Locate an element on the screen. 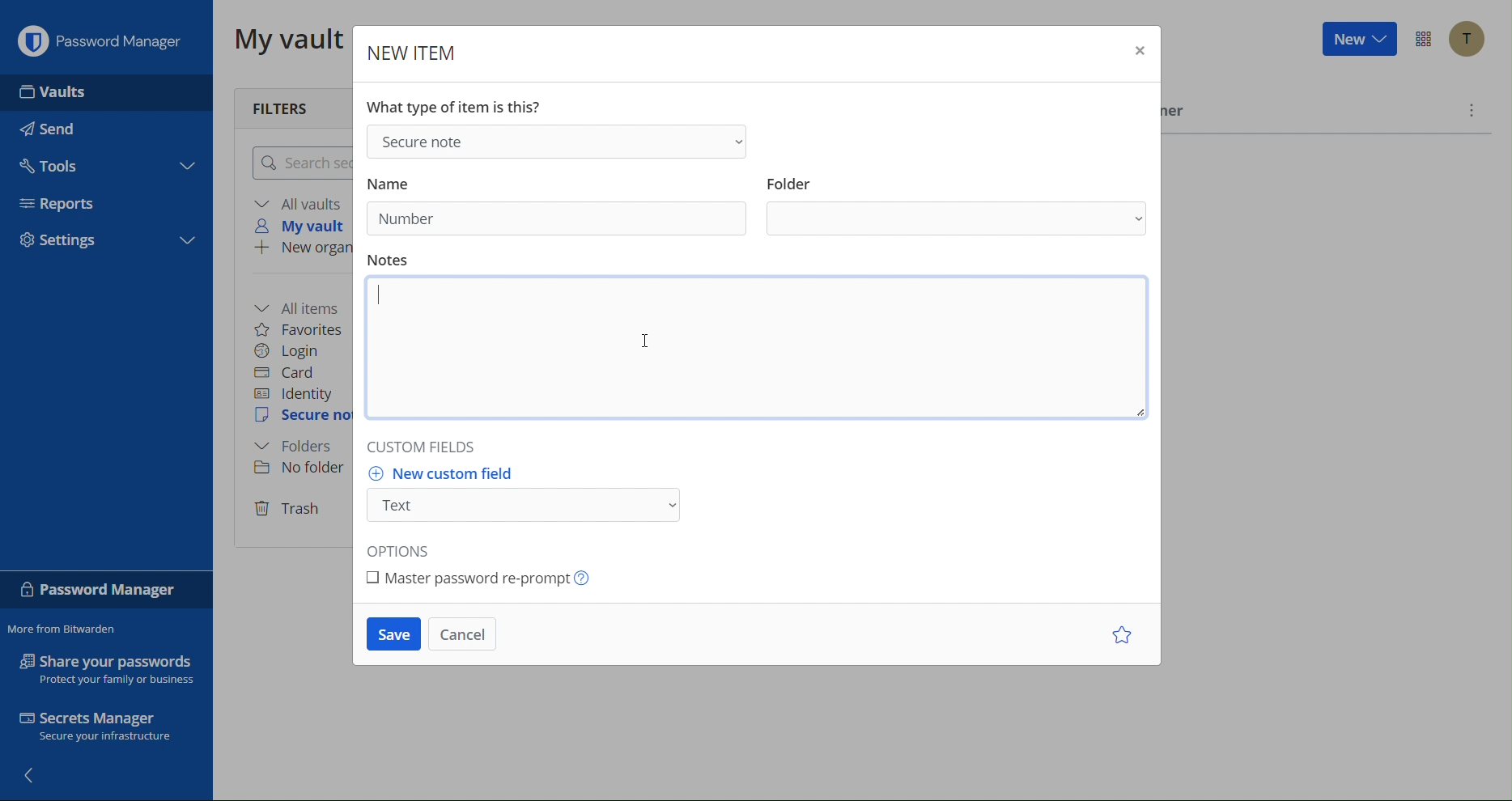 The image size is (1512, 801). Star is located at coordinates (1119, 636).